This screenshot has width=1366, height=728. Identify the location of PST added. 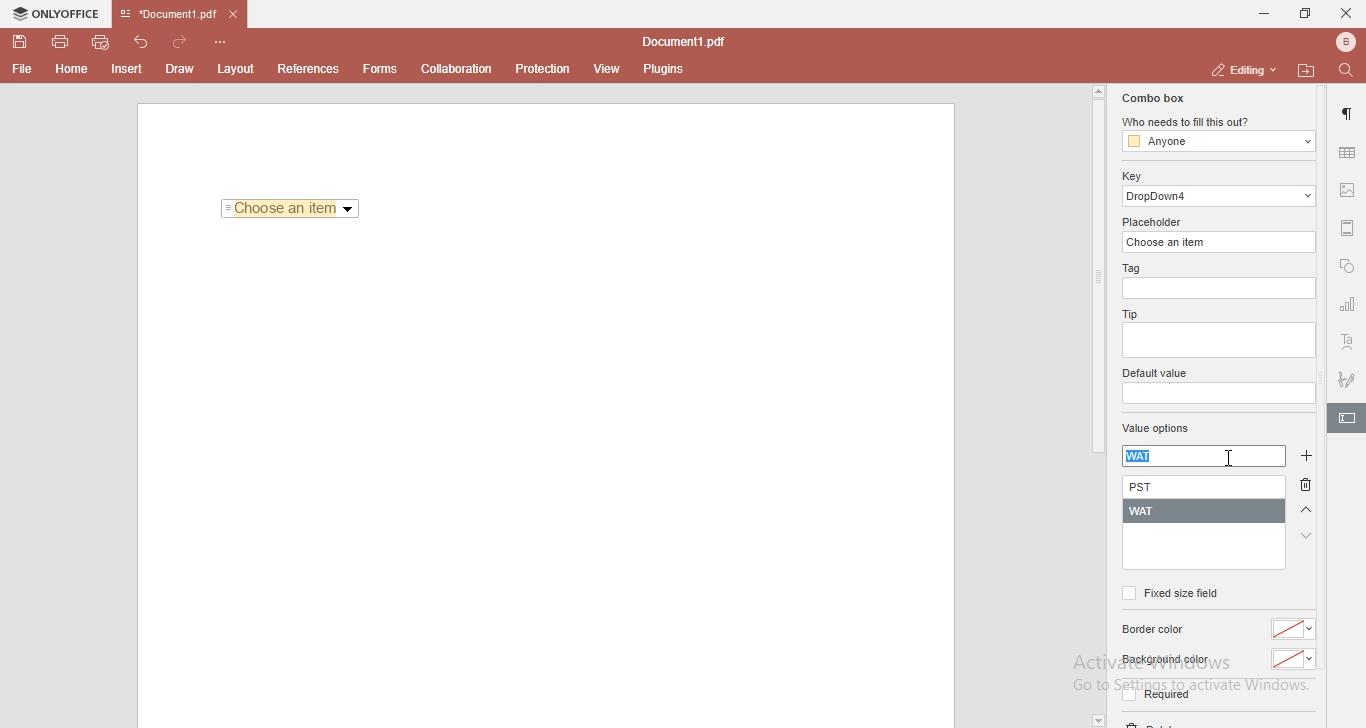
(1208, 488).